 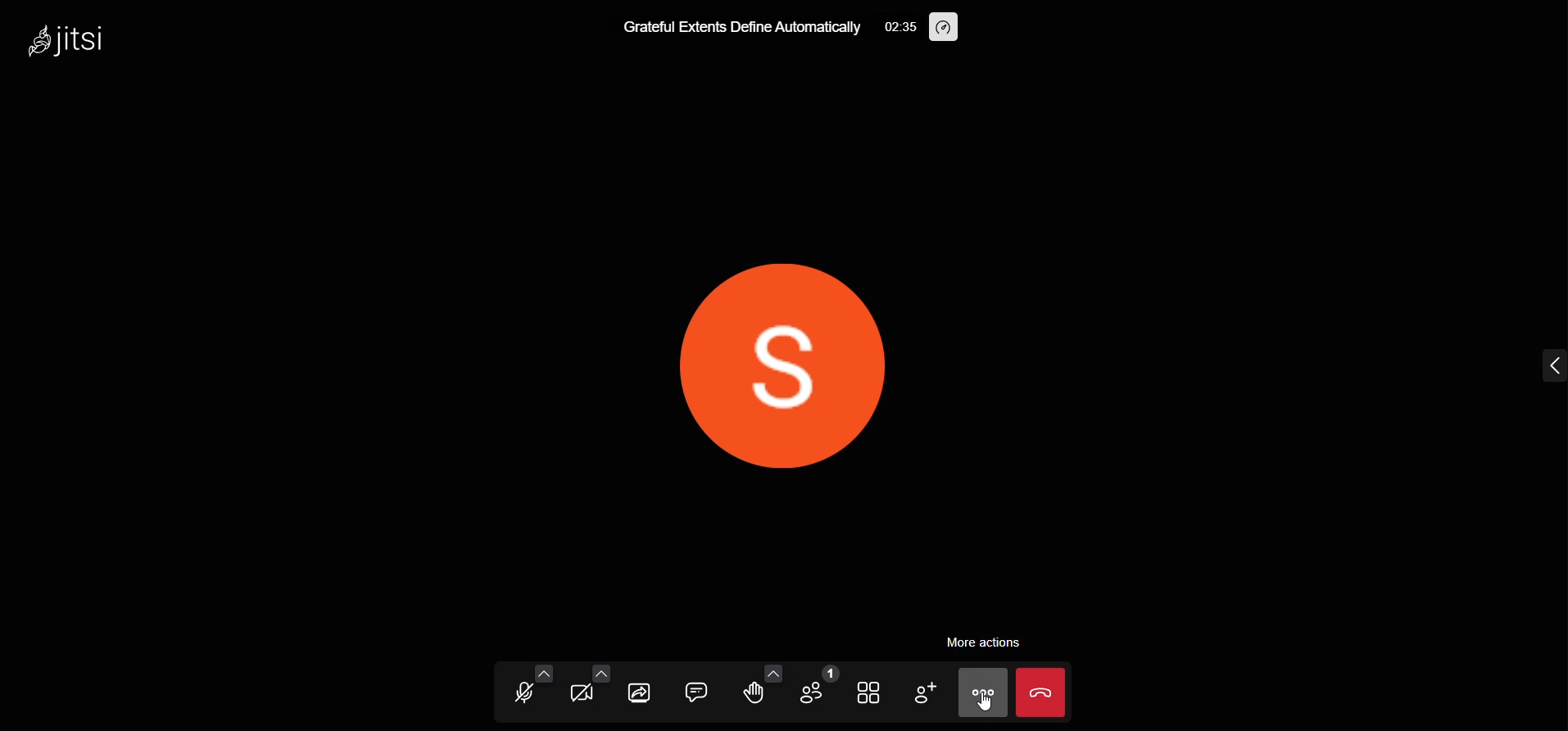 I want to click on video, so click(x=581, y=697).